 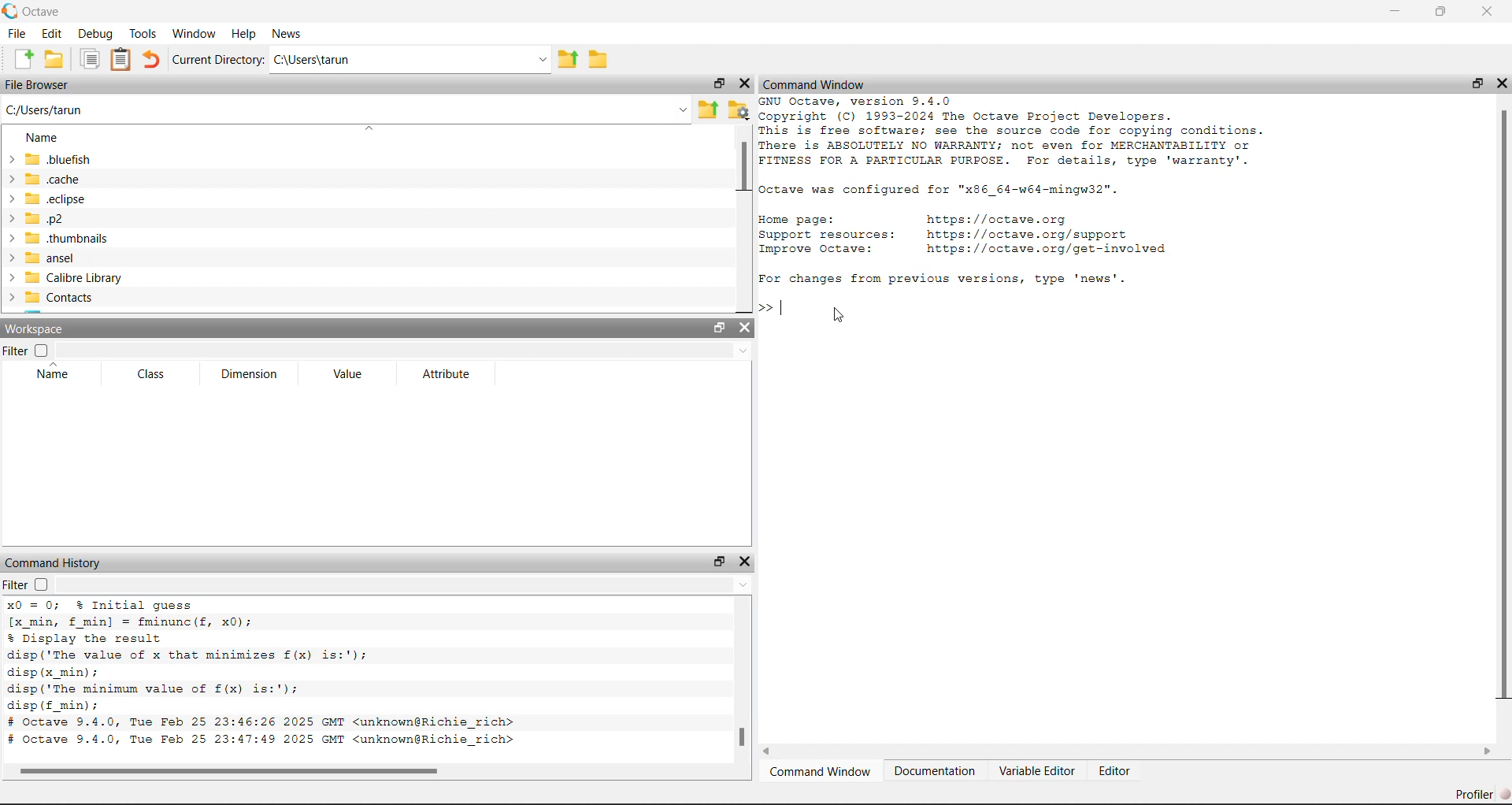 I want to click on Scrollbar, so click(x=241, y=769).